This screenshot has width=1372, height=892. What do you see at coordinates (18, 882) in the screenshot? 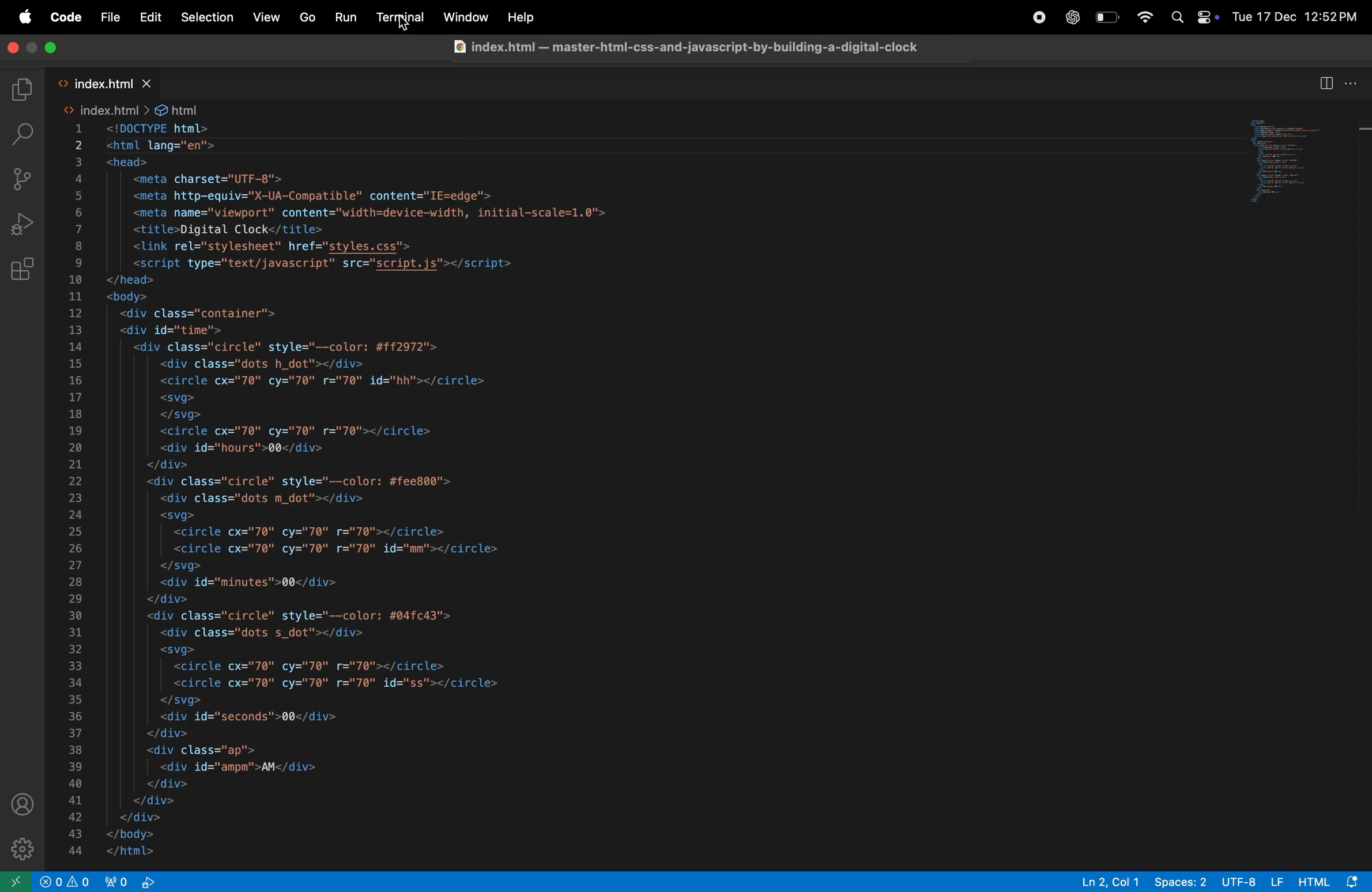
I see `open remote` at bounding box center [18, 882].